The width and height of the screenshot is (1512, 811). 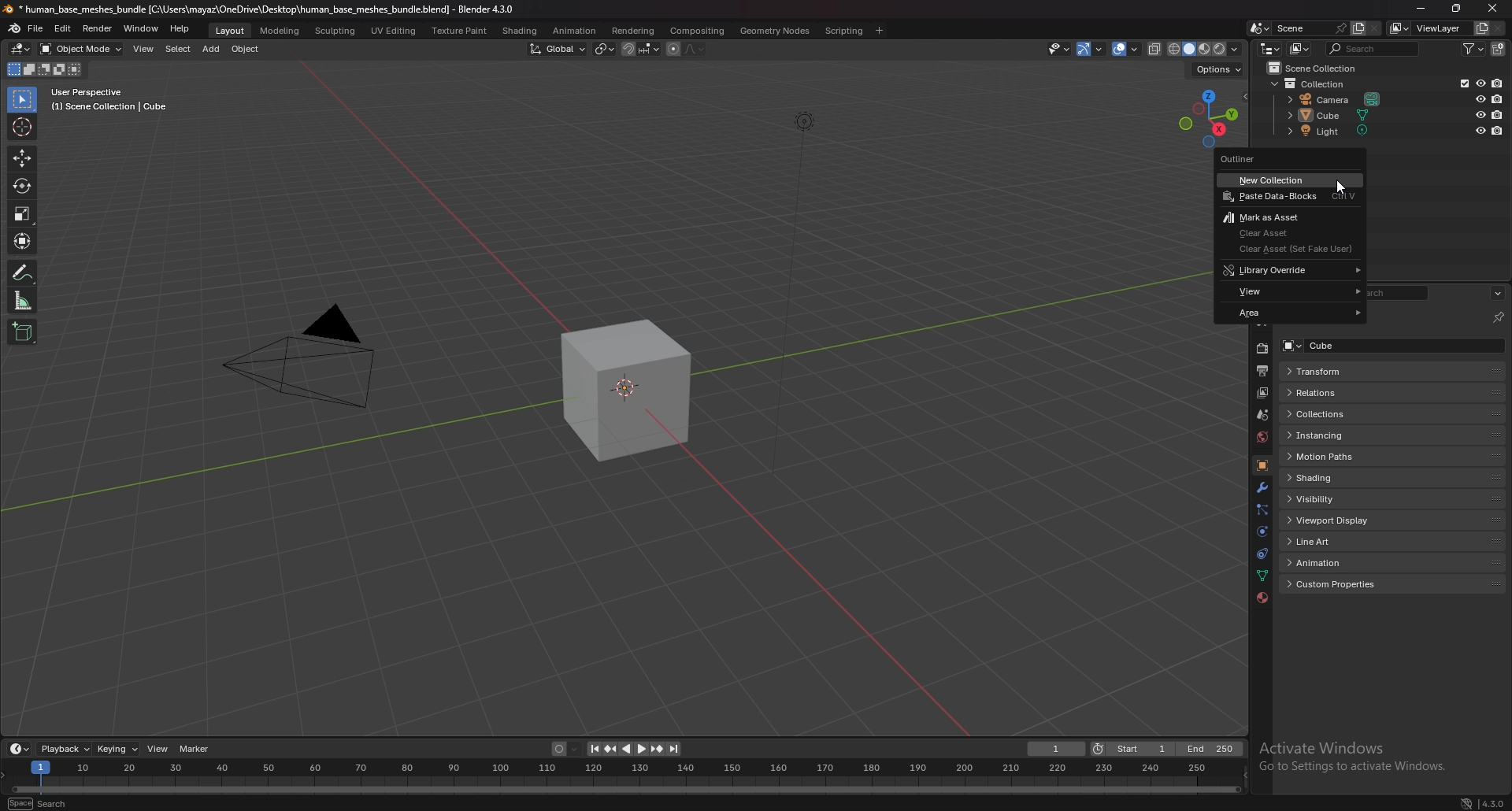 I want to click on view layer, so click(x=1262, y=393).